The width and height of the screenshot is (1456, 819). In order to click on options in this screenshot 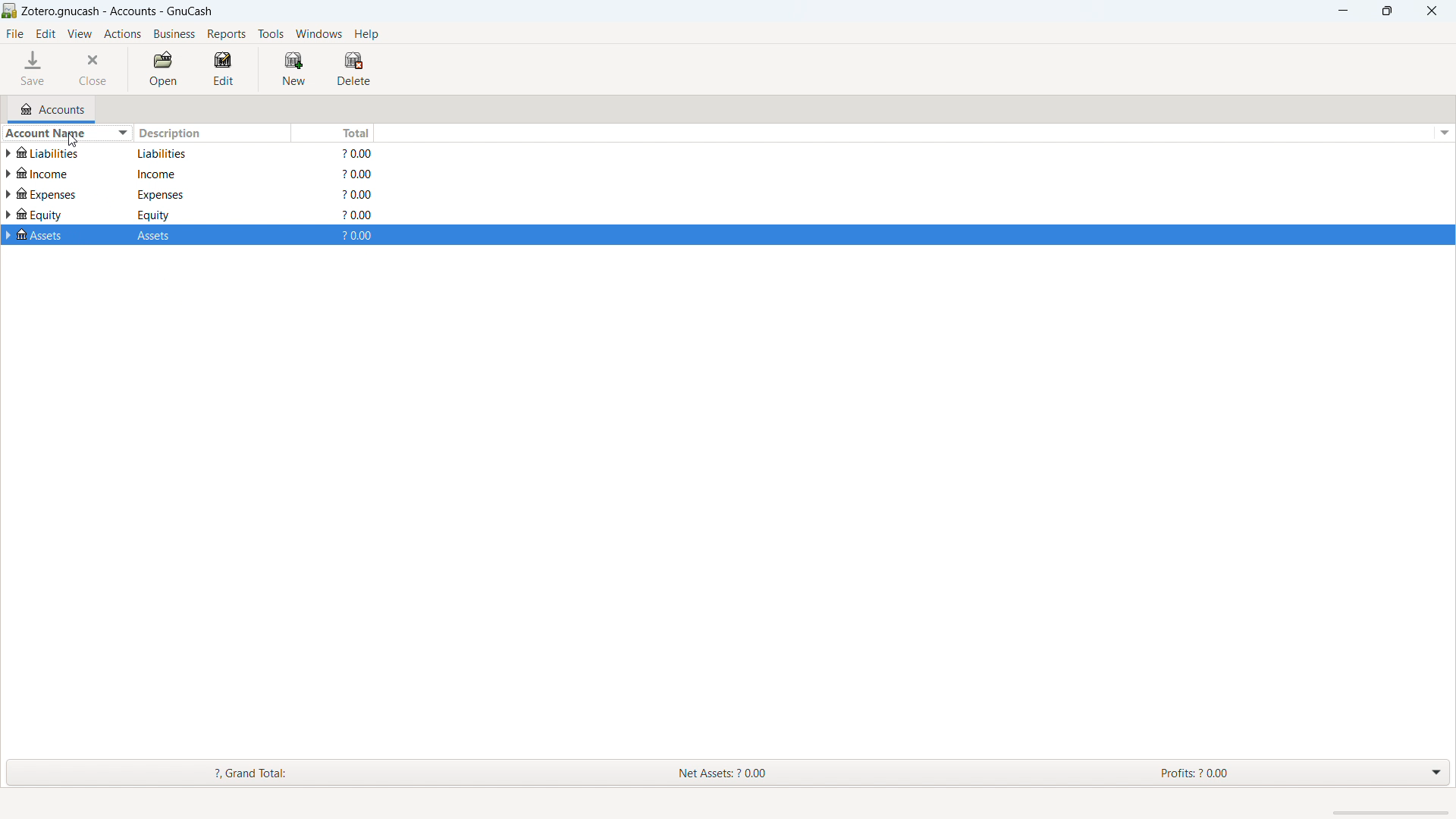, I will do `click(1443, 133)`.